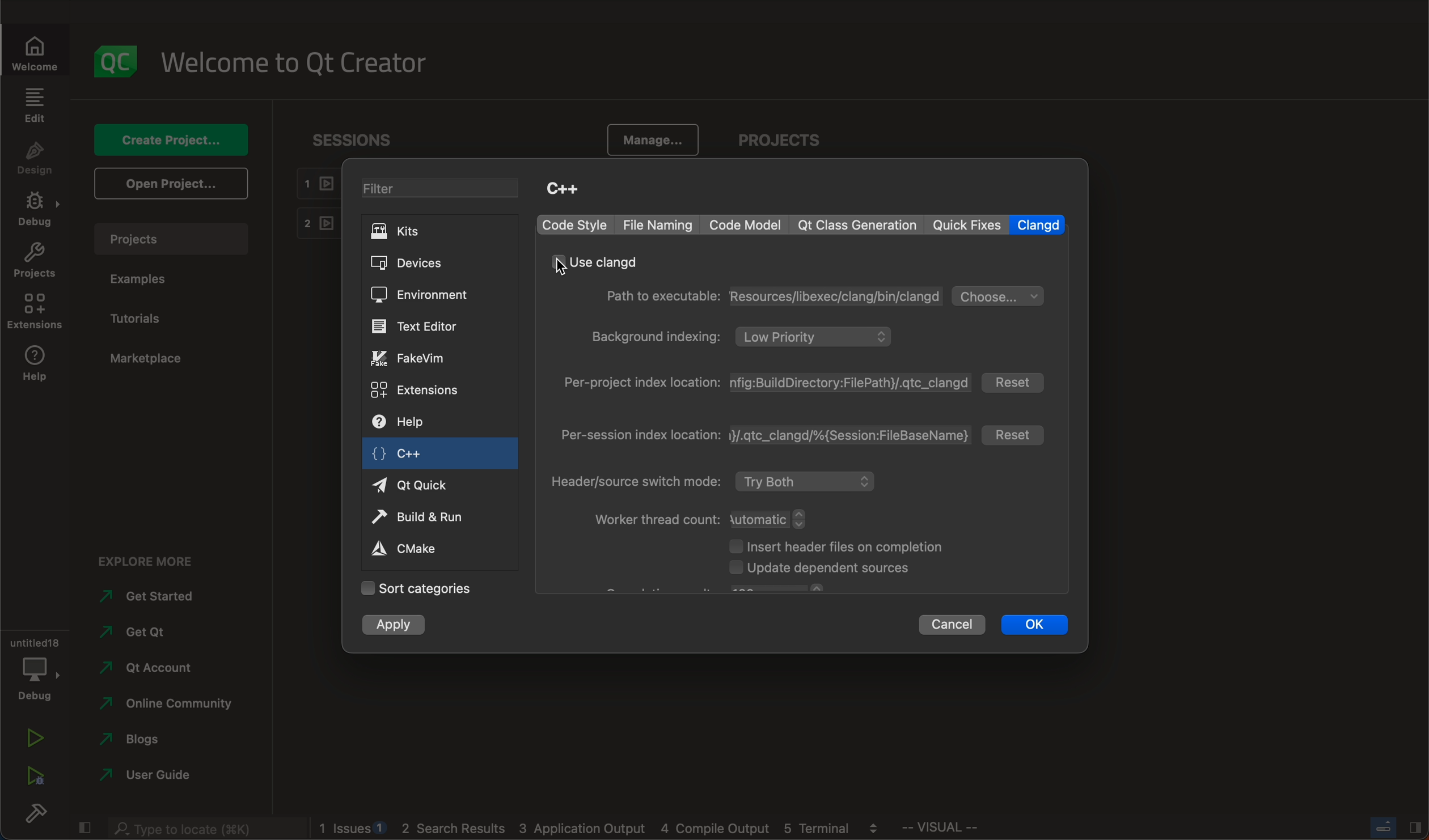  What do you see at coordinates (944, 827) in the screenshot?
I see `` at bounding box center [944, 827].